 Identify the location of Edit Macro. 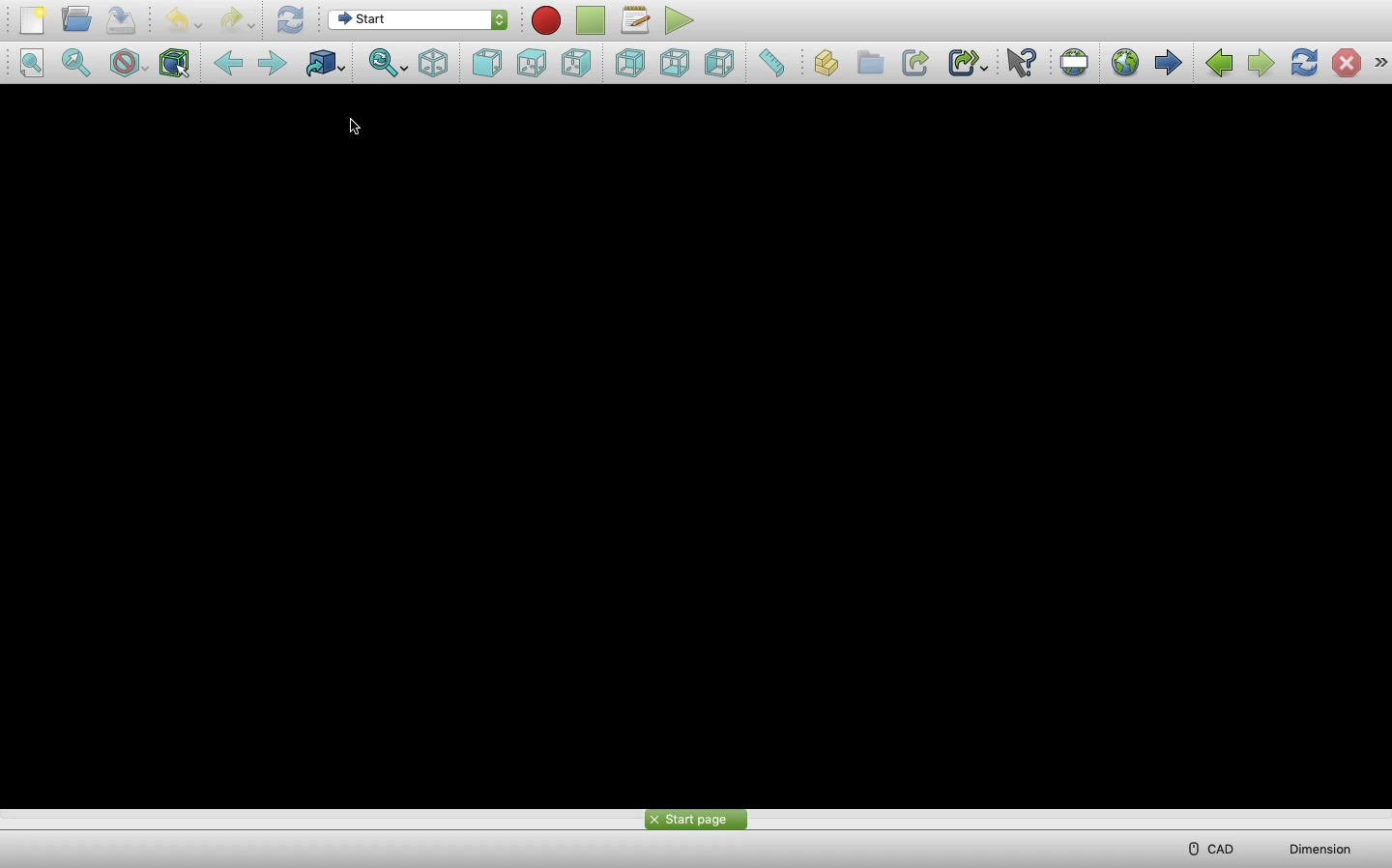
(637, 20).